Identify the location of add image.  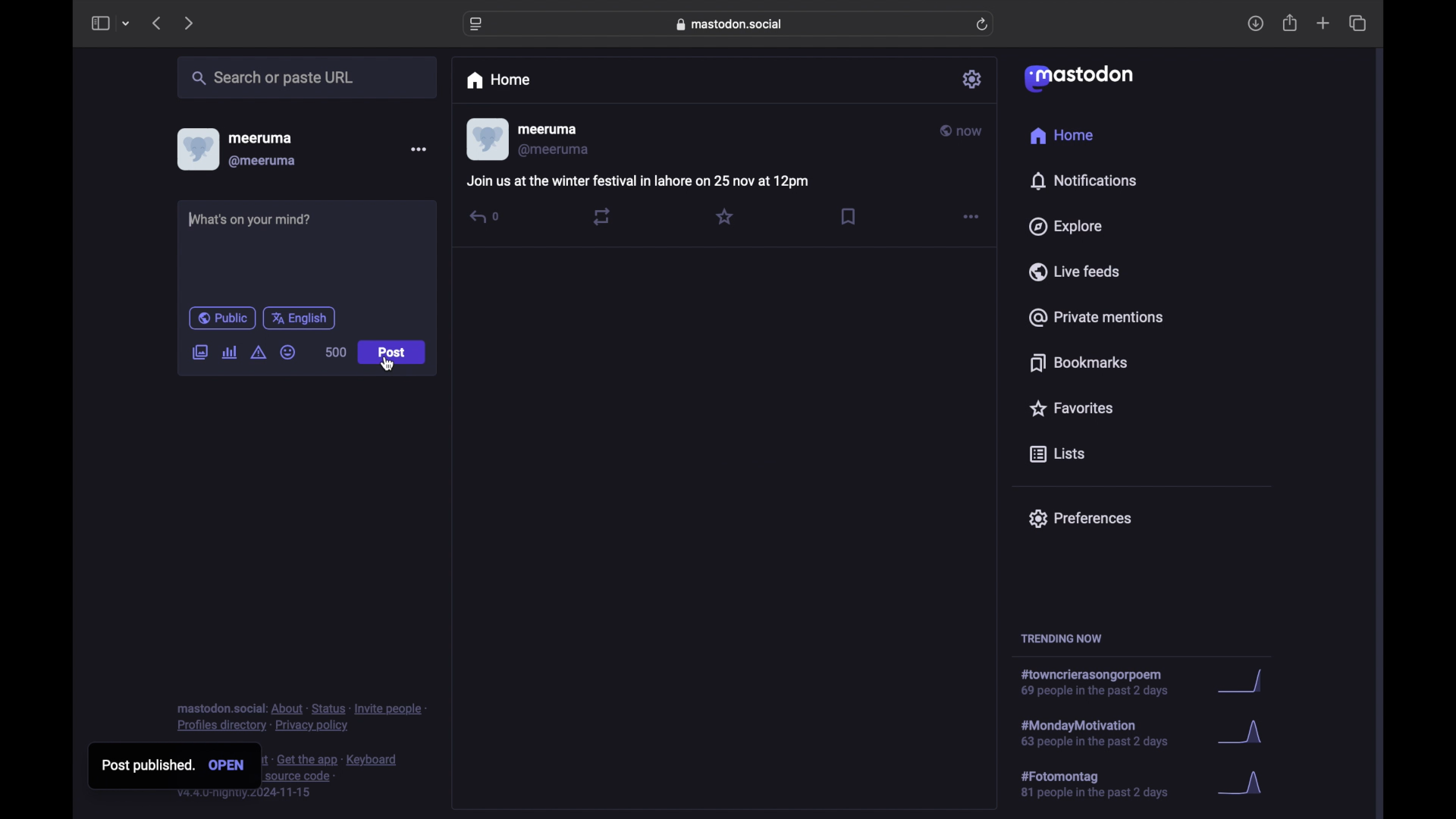
(199, 353).